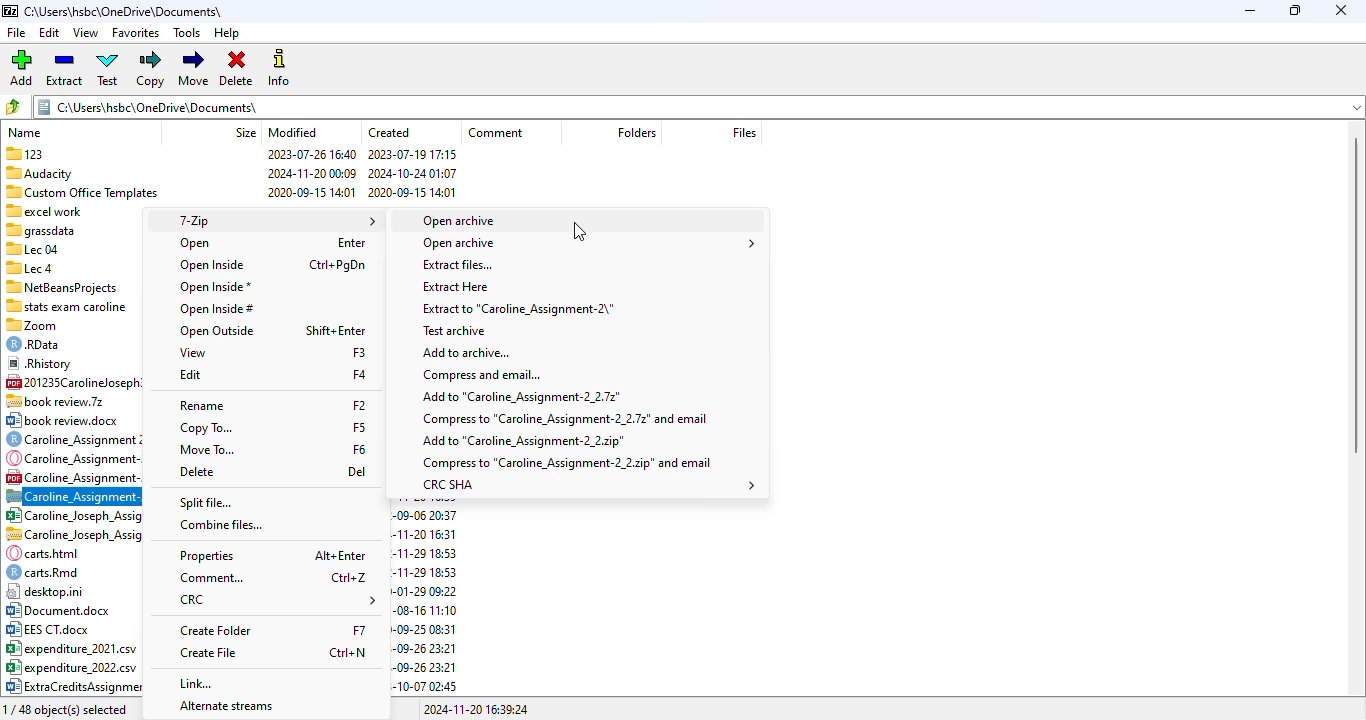 The width and height of the screenshot is (1366, 720). I want to click on shortcut for edit, so click(359, 374).